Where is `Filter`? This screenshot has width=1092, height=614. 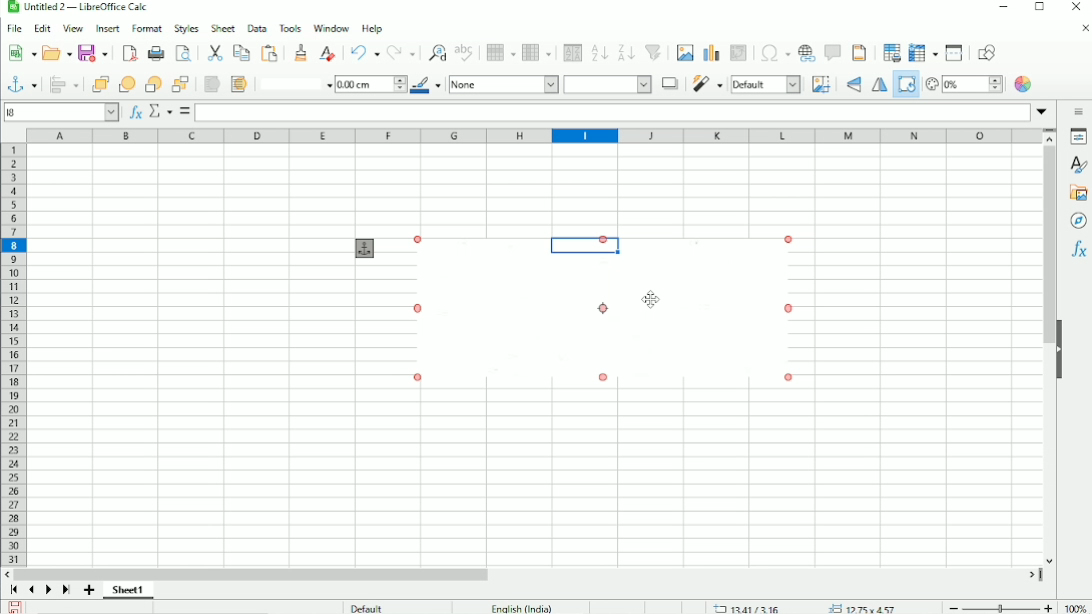
Filter is located at coordinates (707, 84).